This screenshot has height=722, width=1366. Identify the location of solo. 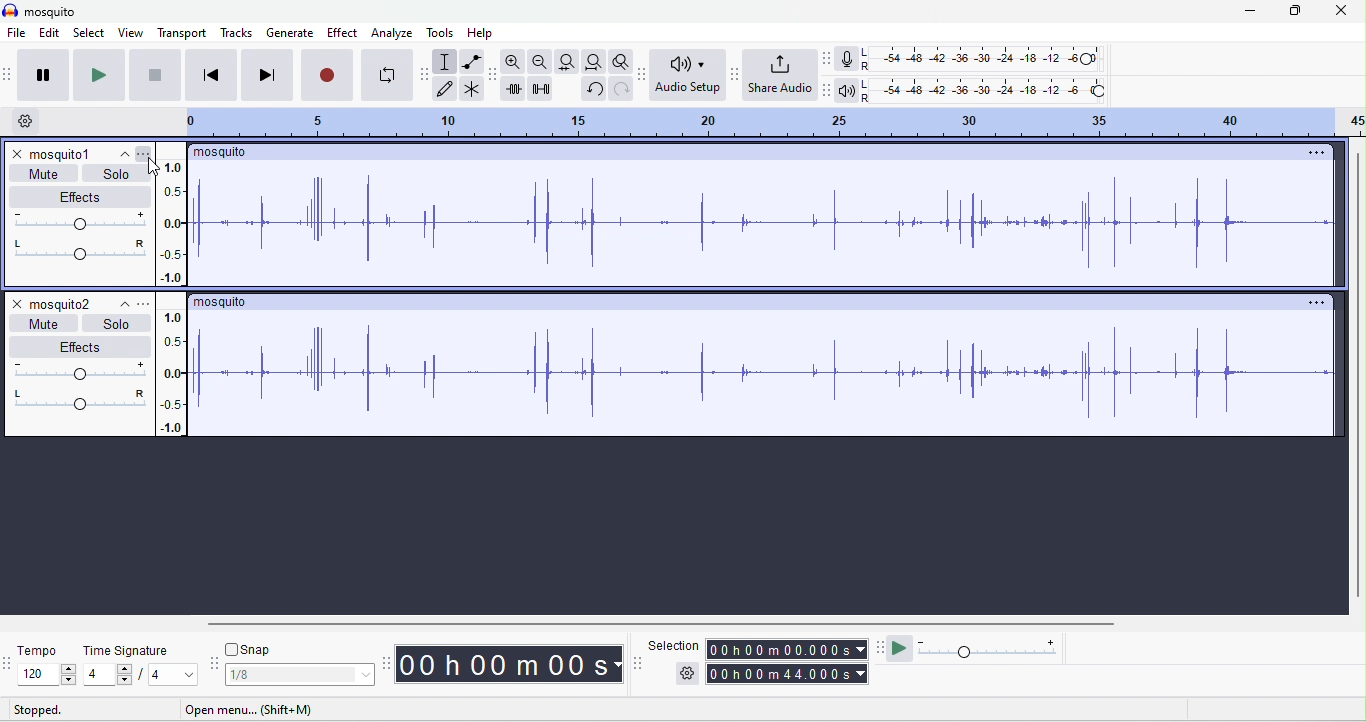
(115, 325).